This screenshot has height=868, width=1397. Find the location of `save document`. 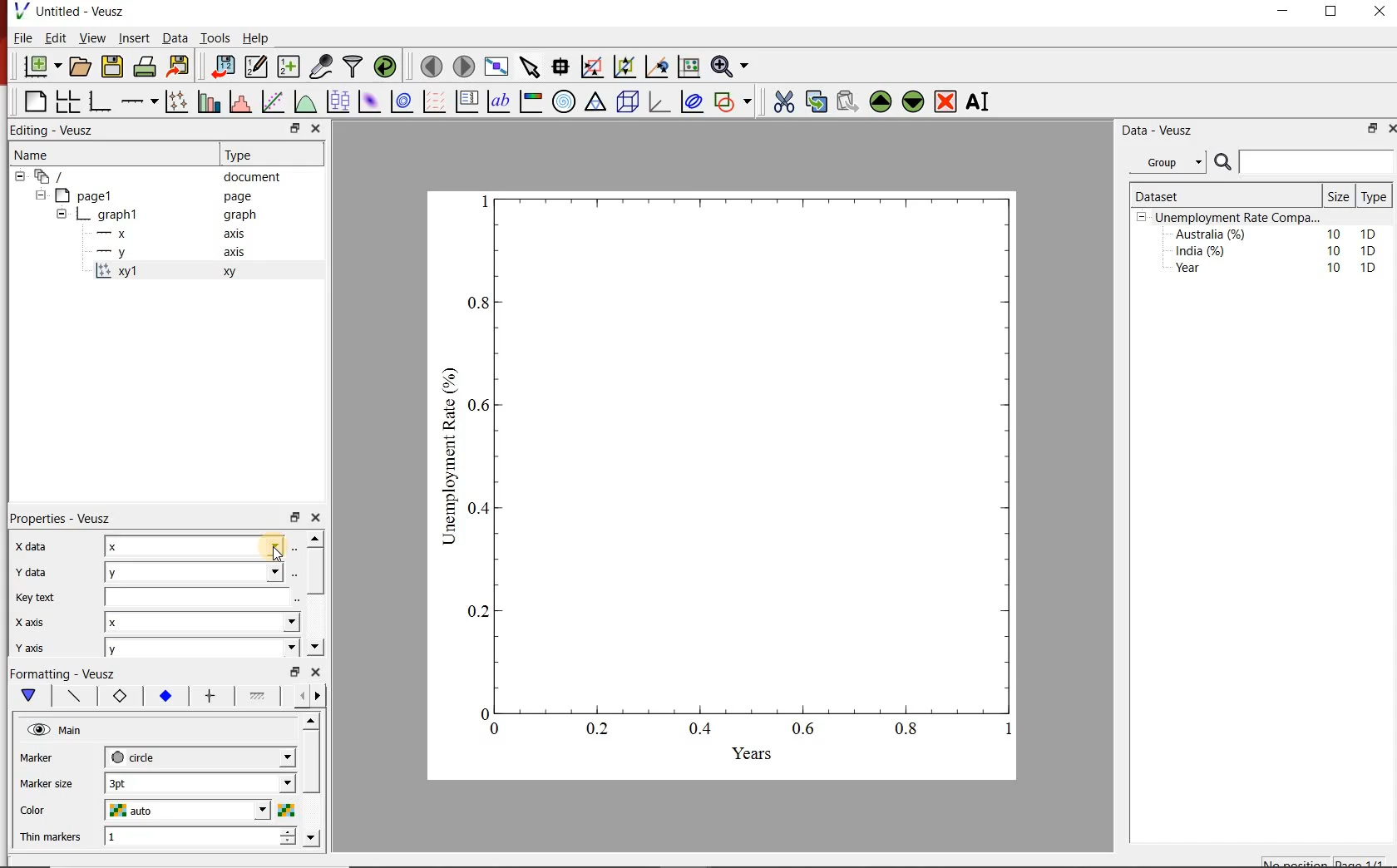

save document is located at coordinates (112, 66).